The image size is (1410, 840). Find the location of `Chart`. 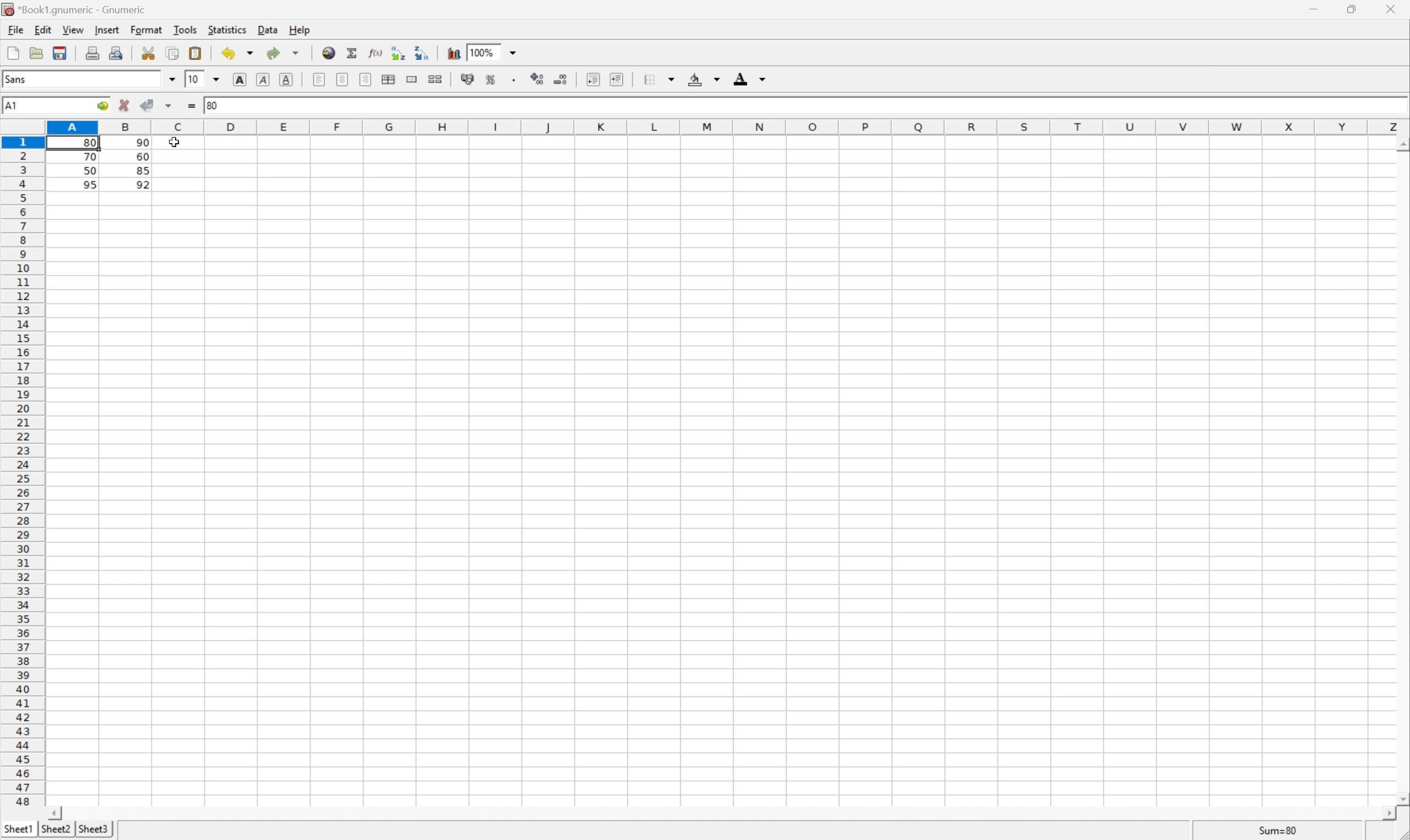

Chart is located at coordinates (451, 53).